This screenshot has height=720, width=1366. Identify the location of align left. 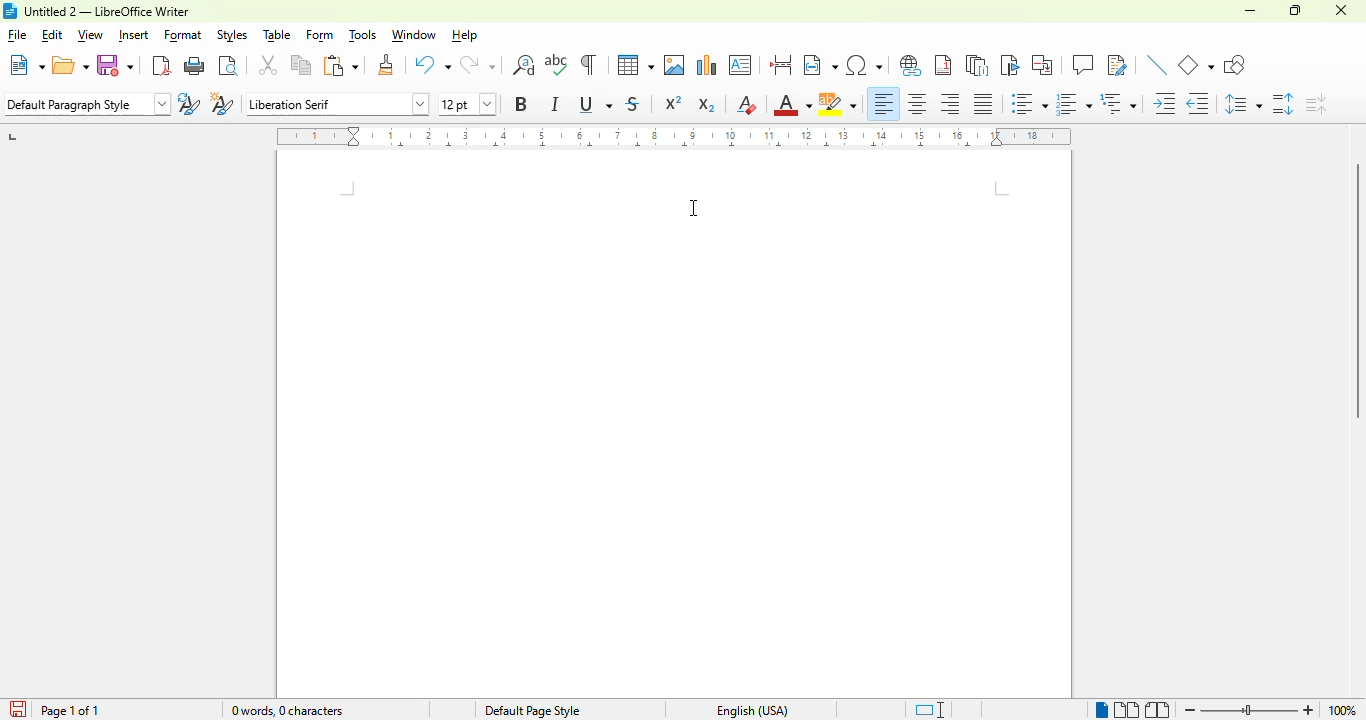
(884, 104).